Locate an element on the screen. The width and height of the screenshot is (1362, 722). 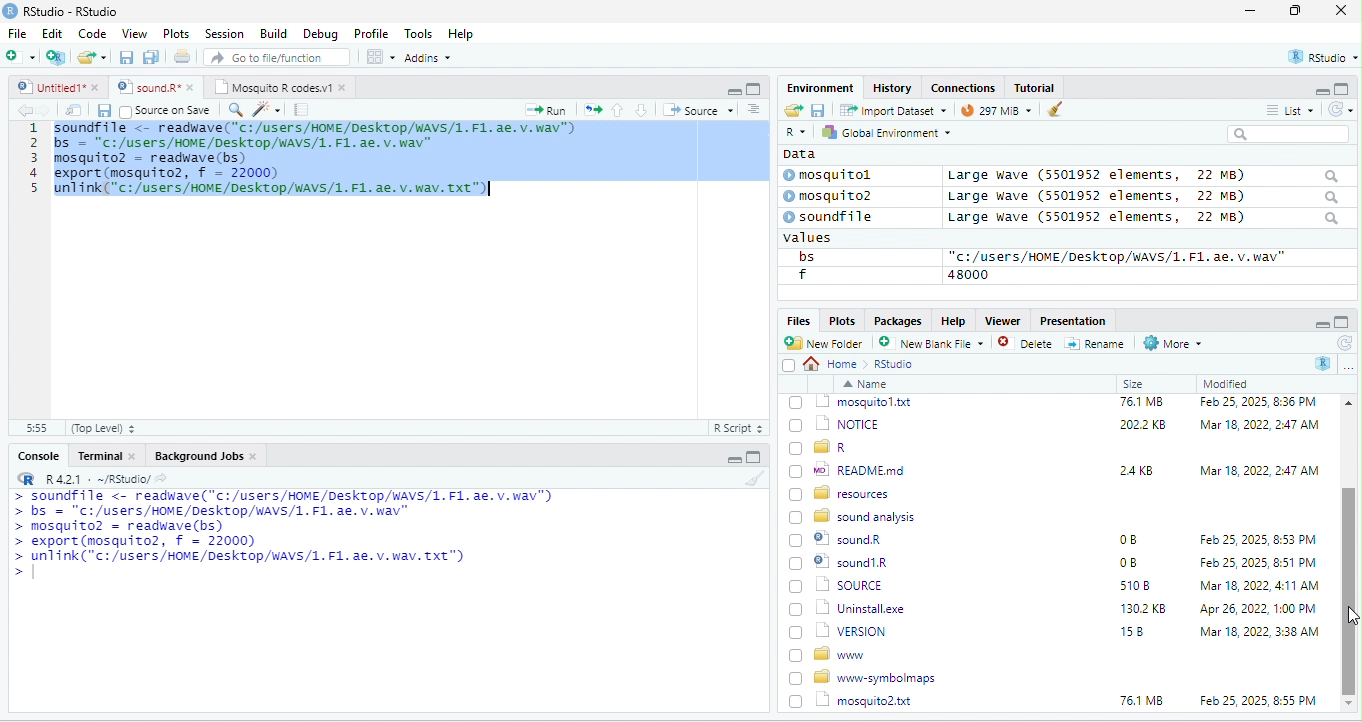
0B is located at coordinates (1127, 659).